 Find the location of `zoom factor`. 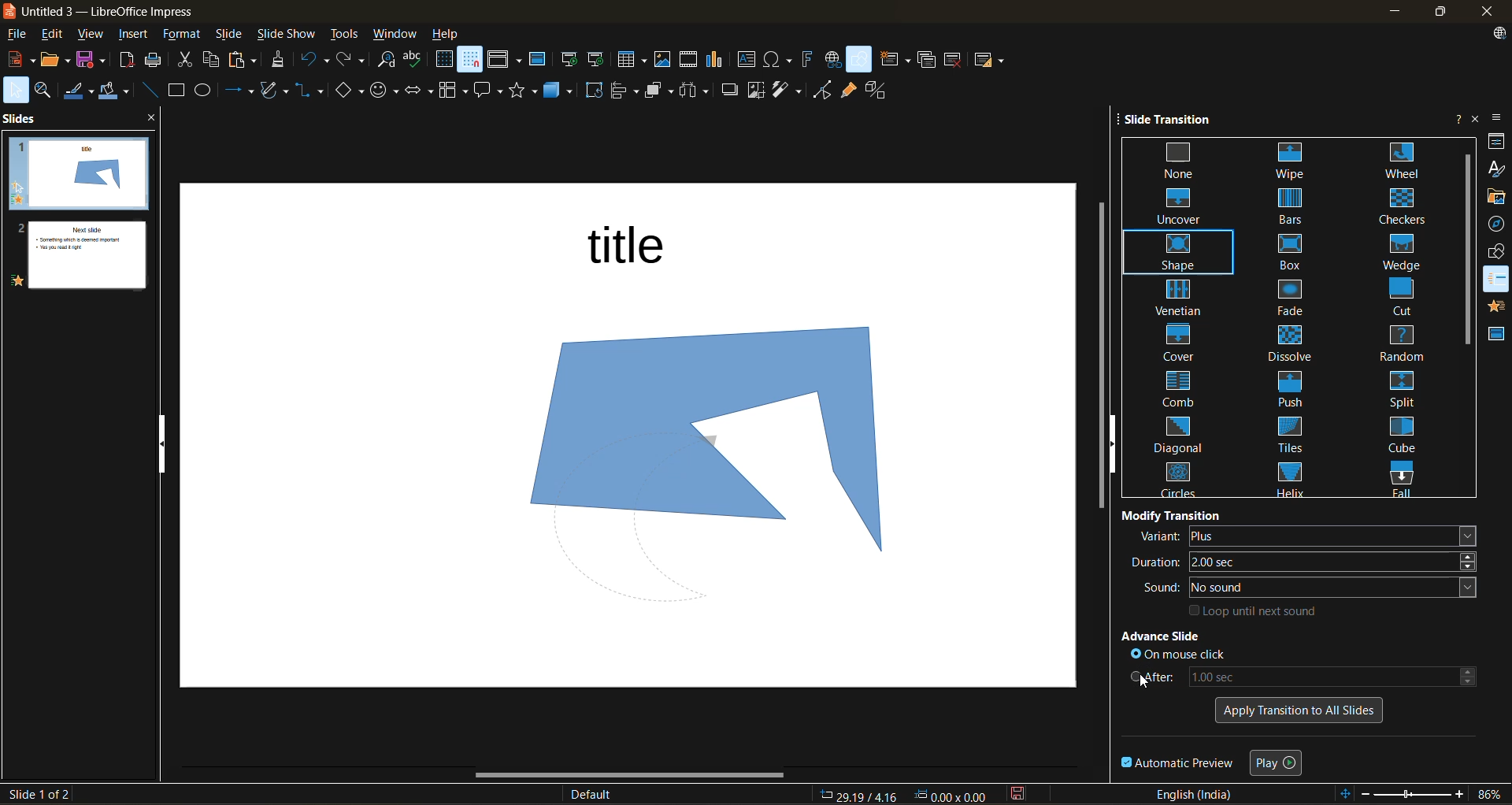

zoom factor is located at coordinates (1488, 793).